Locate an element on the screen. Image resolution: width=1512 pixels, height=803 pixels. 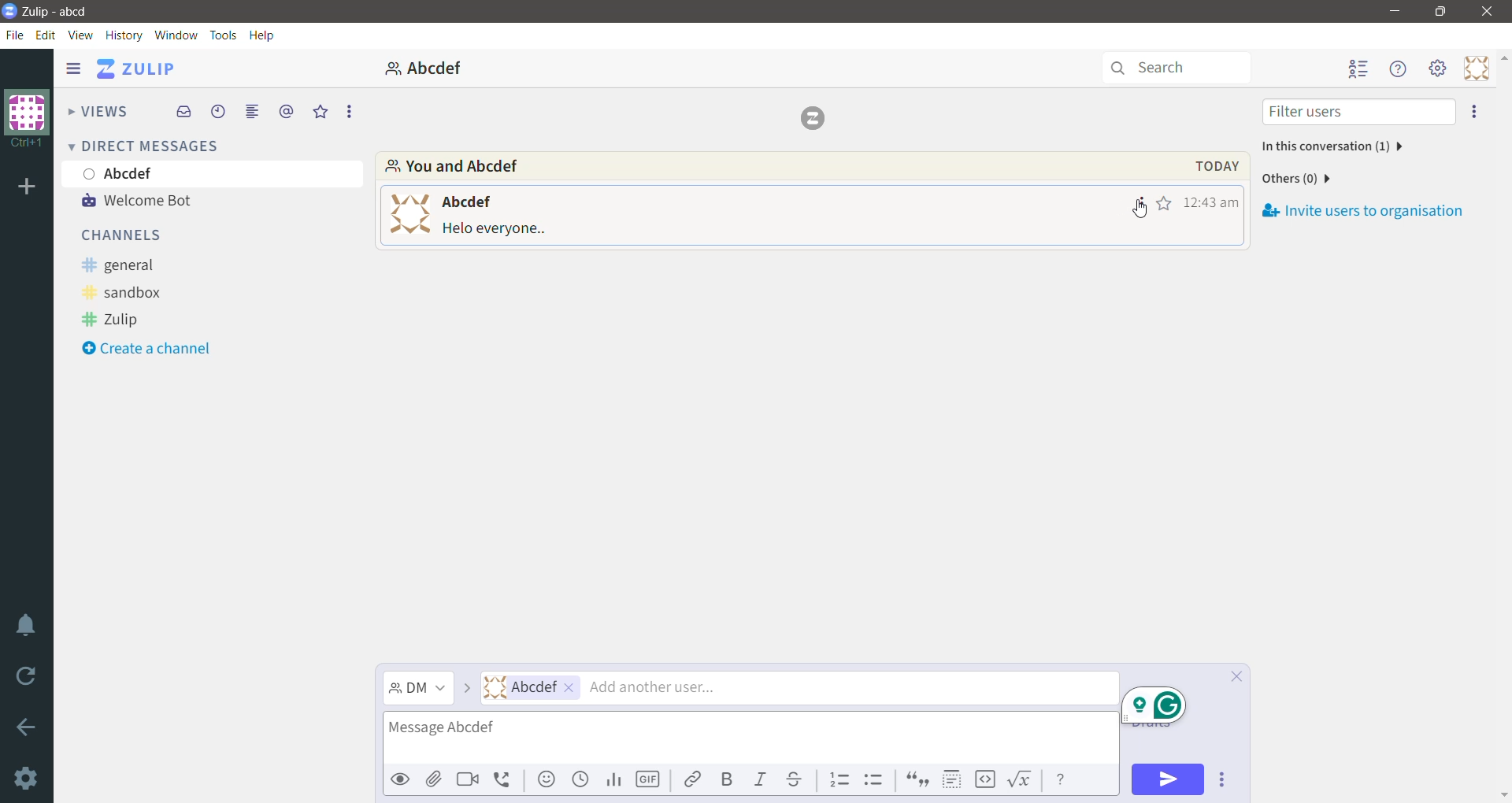
Numbered list is located at coordinates (839, 779).